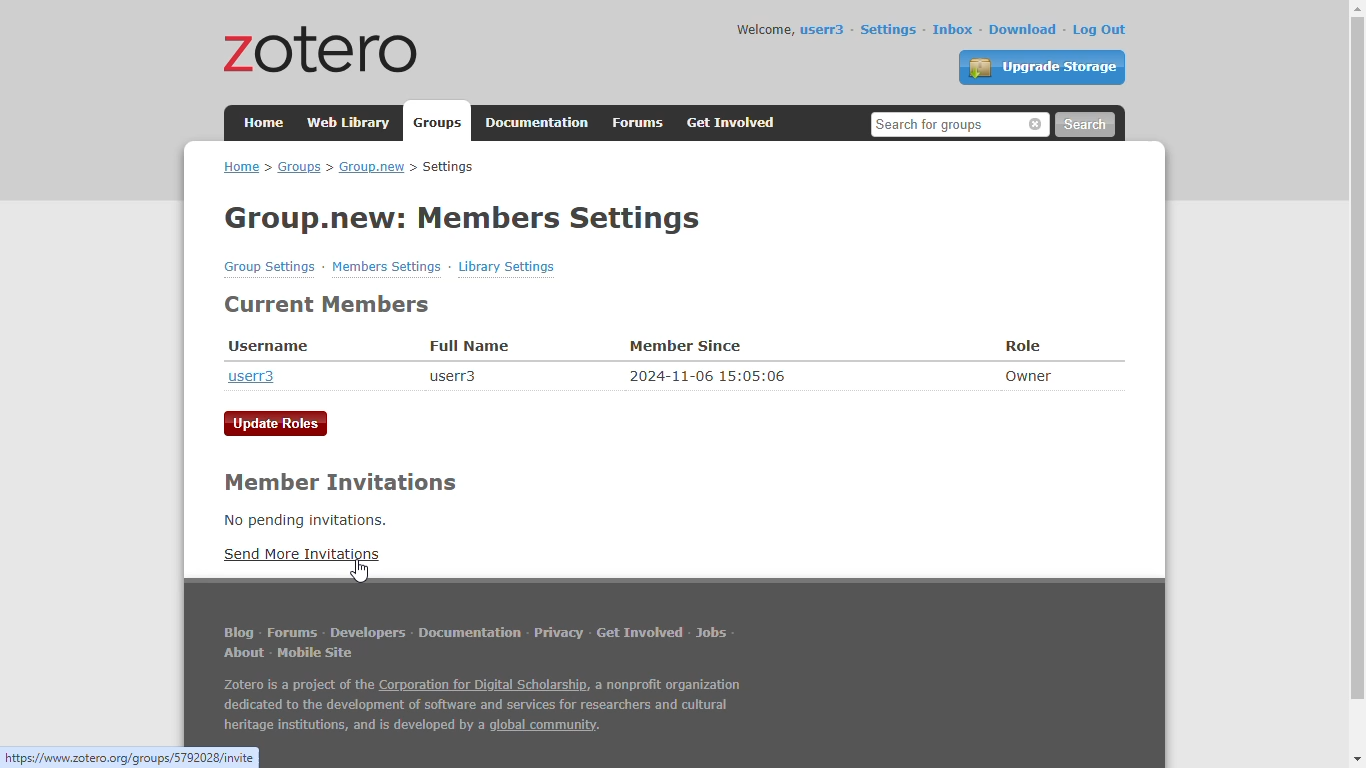 The height and width of the screenshot is (768, 1366). I want to click on download, so click(1024, 29).